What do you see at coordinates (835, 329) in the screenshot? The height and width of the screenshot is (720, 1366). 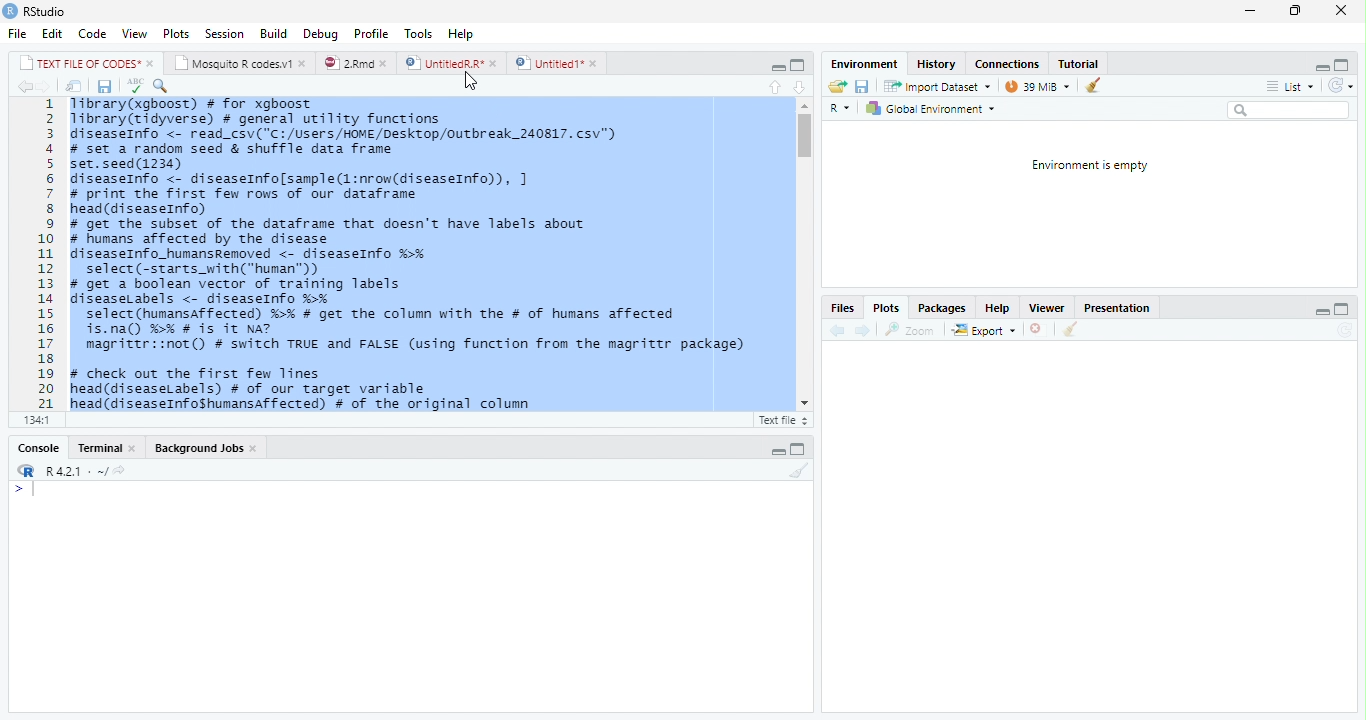 I see `Previous` at bounding box center [835, 329].